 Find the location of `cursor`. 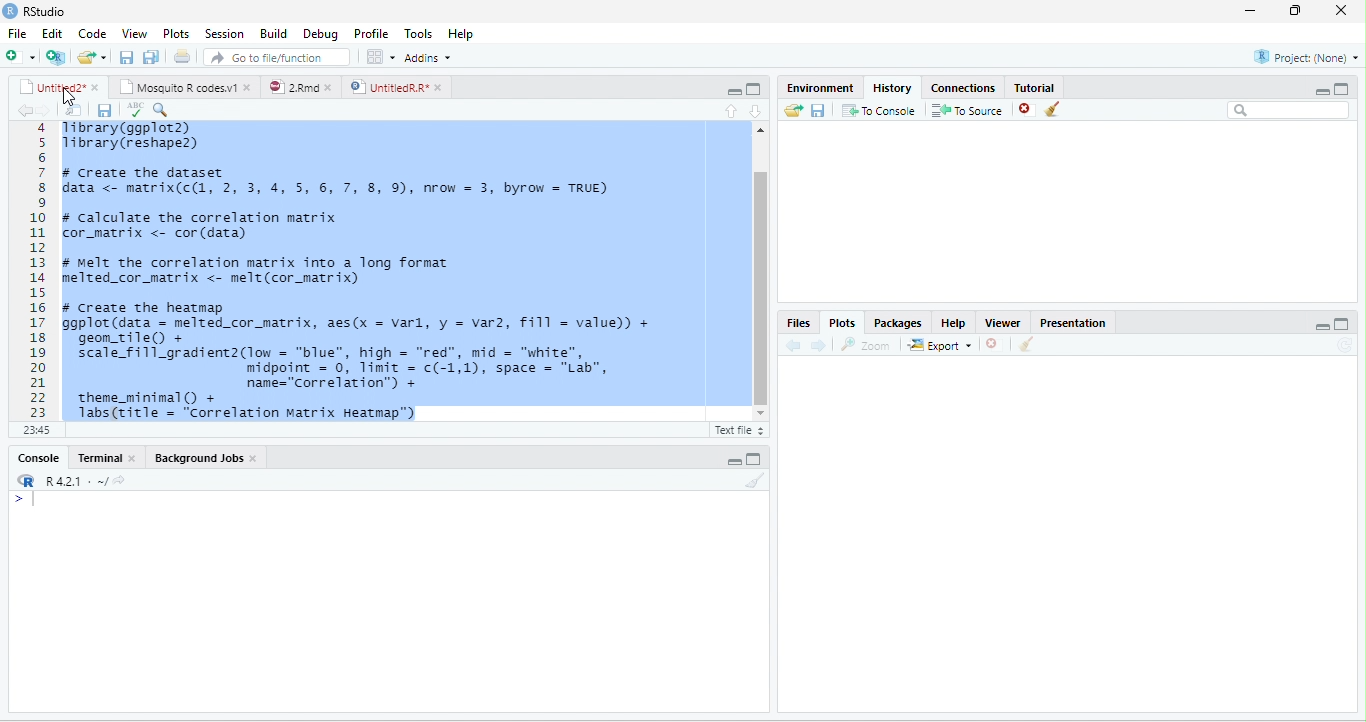

cursor is located at coordinates (78, 98).